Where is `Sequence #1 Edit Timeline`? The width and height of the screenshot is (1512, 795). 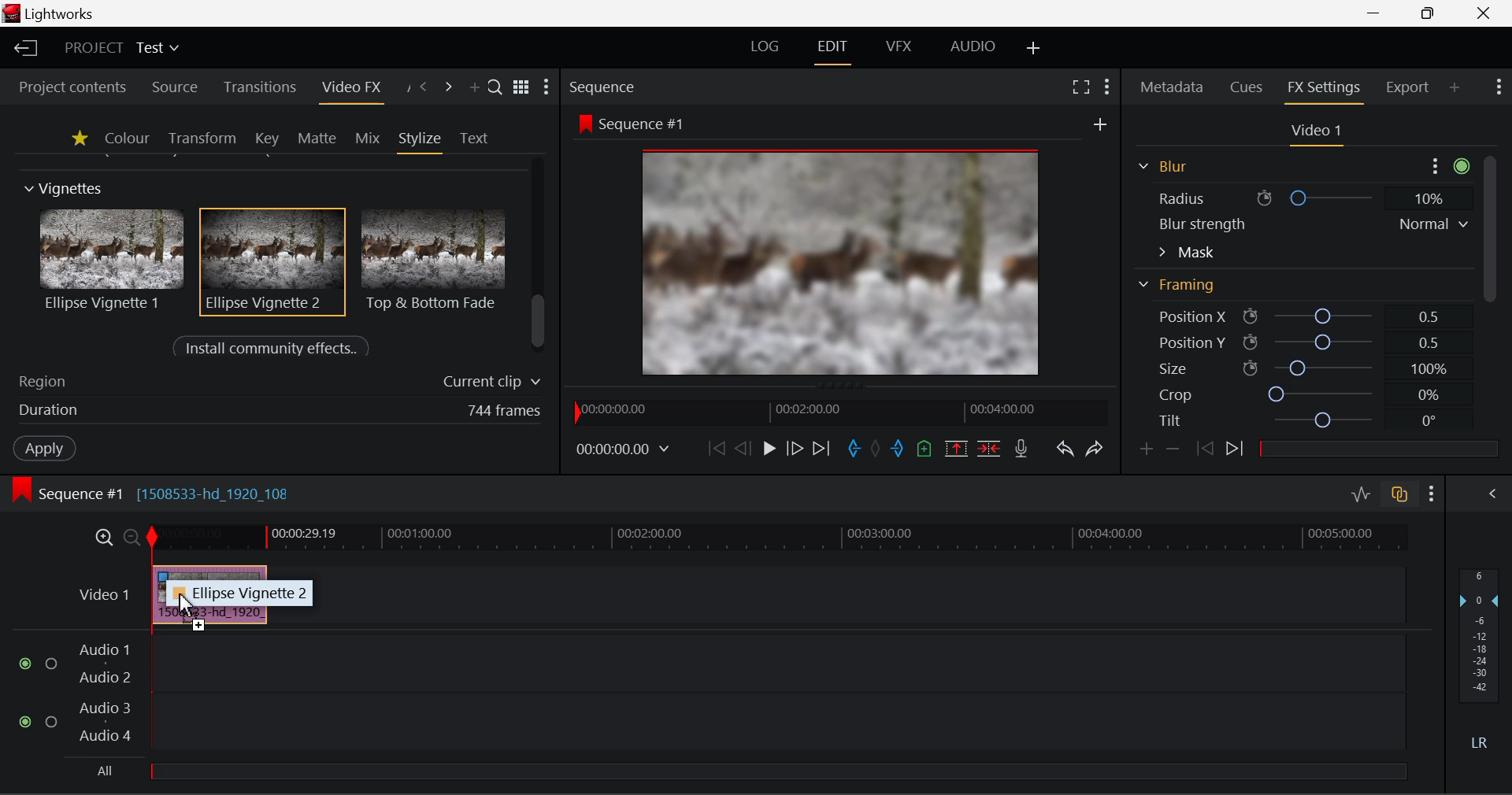 Sequence #1 Edit Timeline is located at coordinates (157, 492).